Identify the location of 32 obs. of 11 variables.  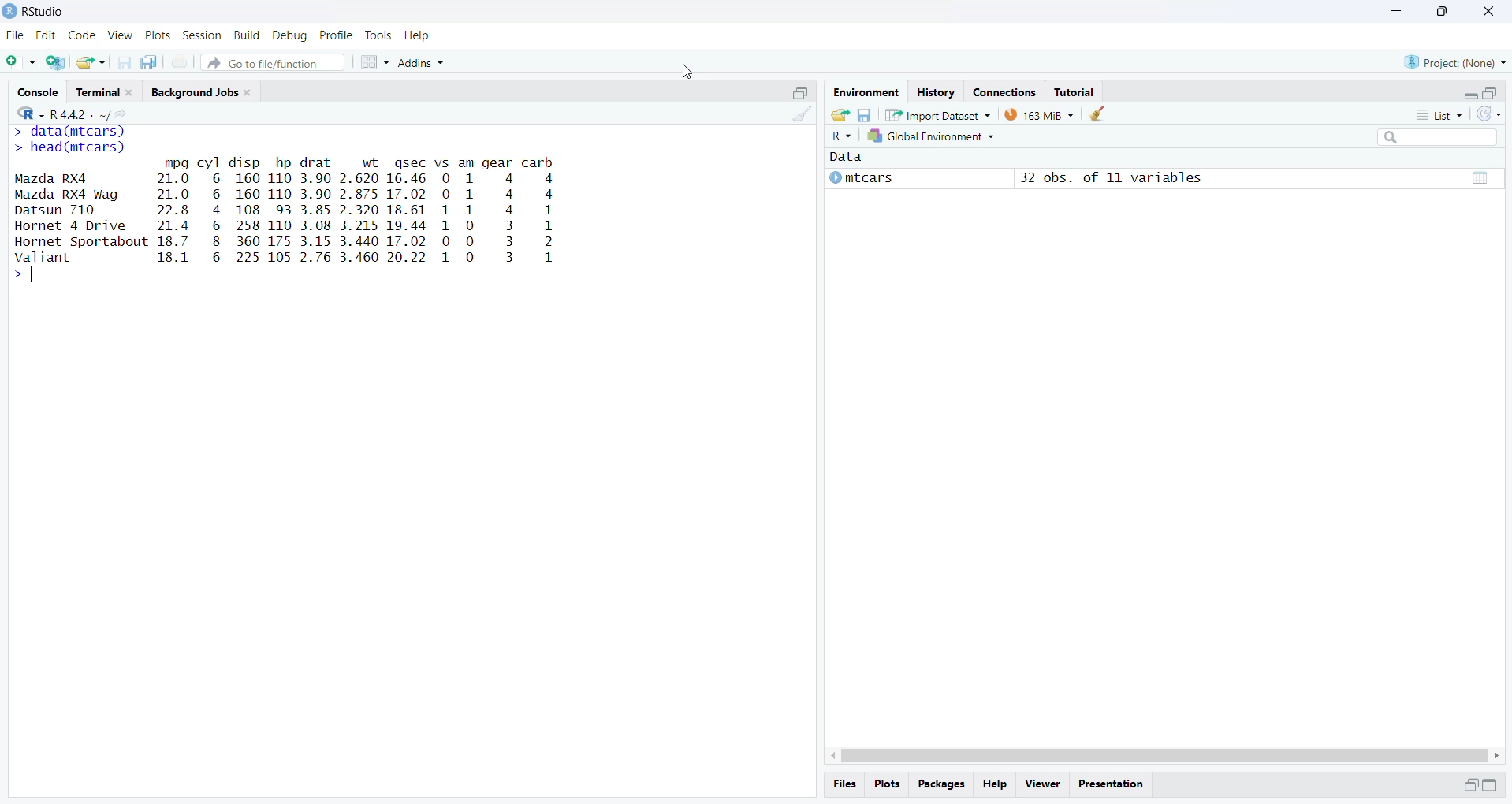
(1112, 178).